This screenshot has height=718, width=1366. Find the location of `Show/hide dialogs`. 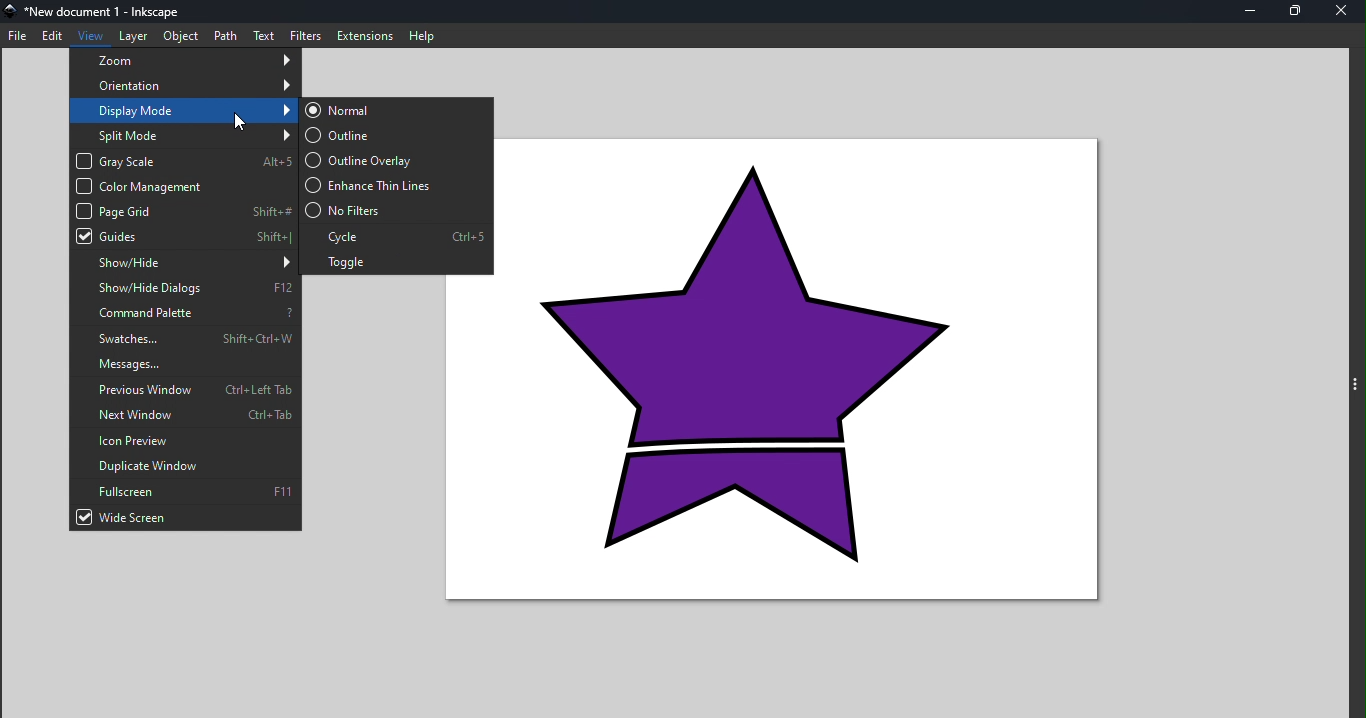

Show/hide dialogs is located at coordinates (186, 289).